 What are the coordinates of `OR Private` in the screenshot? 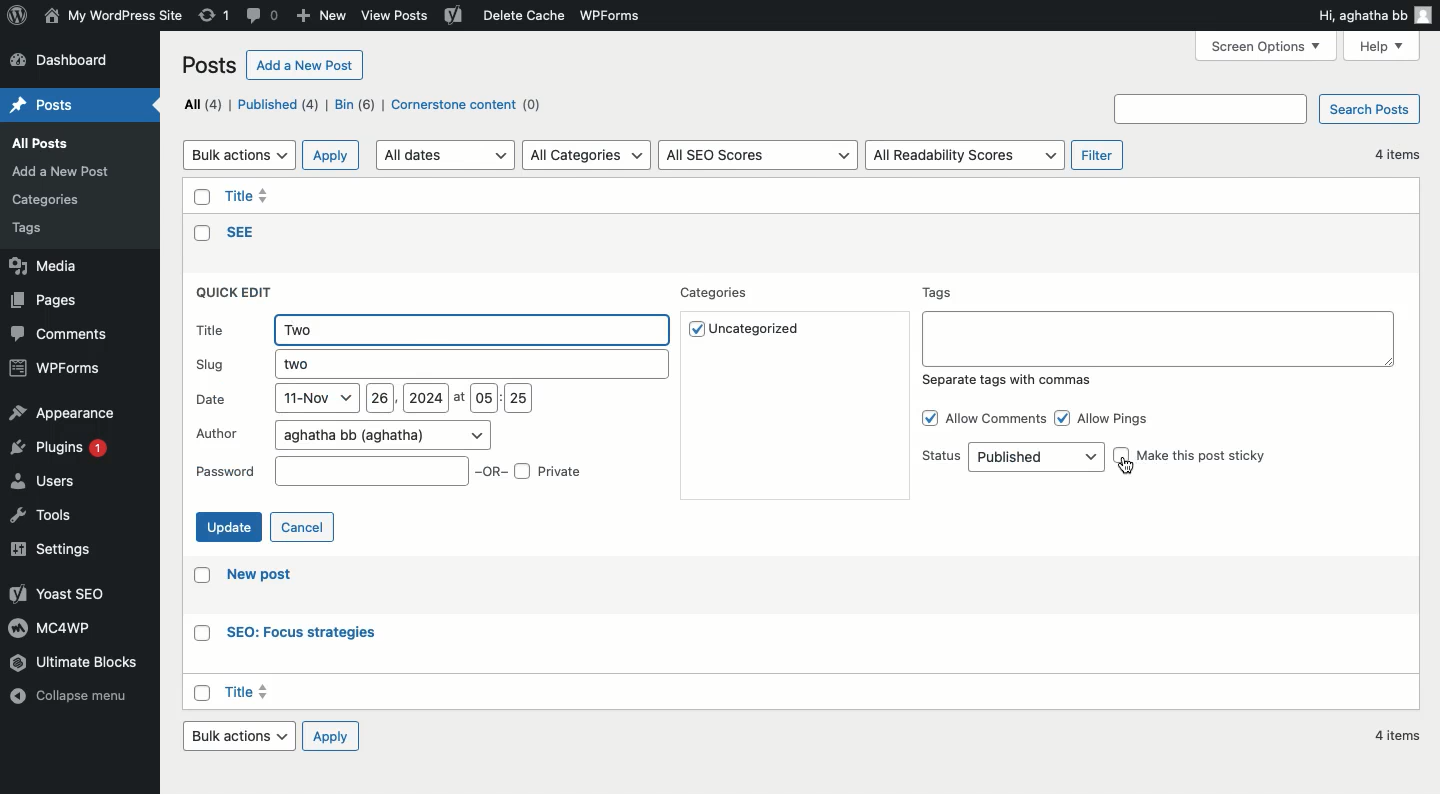 It's located at (534, 470).